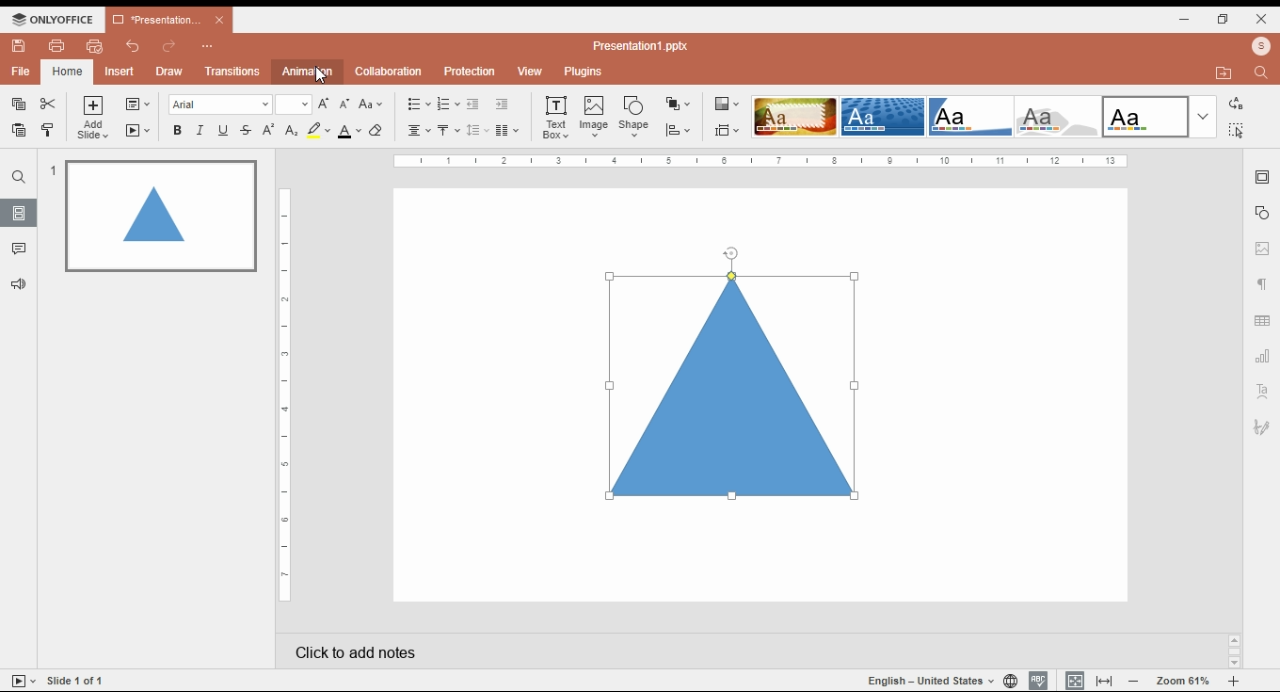 This screenshot has height=692, width=1280. I want to click on protection, so click(472, 71).